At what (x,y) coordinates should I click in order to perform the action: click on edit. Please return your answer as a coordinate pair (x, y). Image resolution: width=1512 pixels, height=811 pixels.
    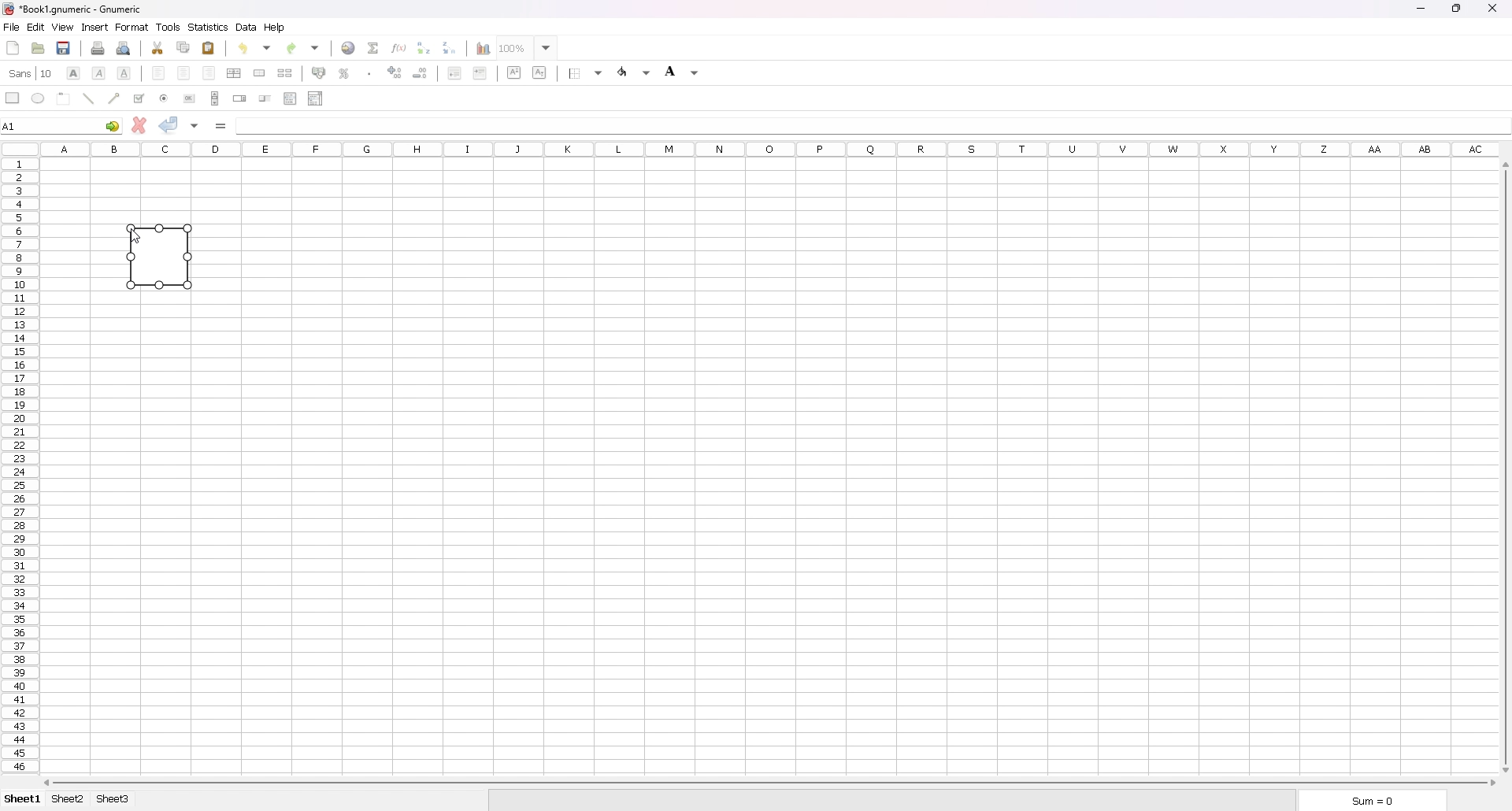
    Looking at the image, I should click on (35, 27).